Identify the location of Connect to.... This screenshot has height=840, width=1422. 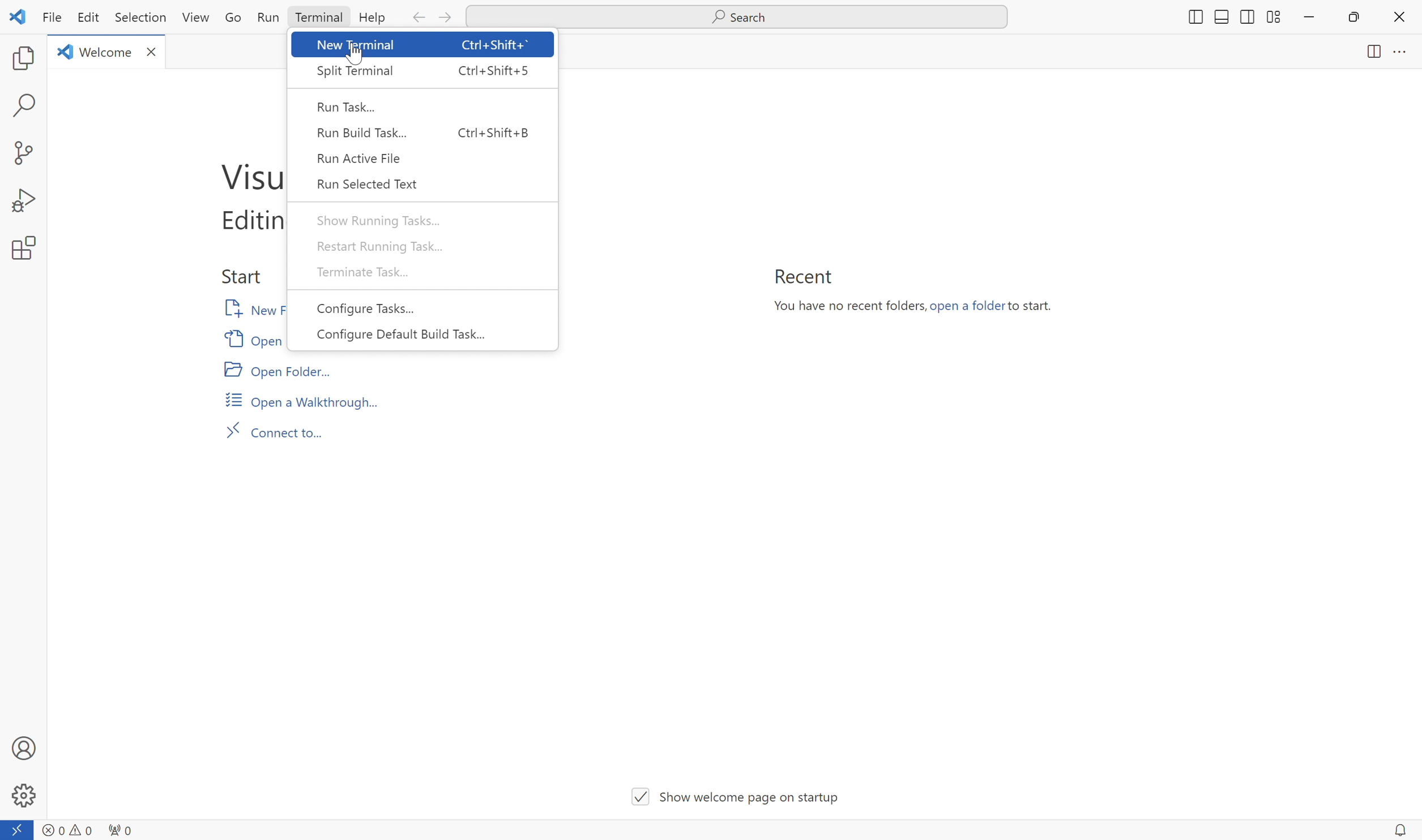
(276, 429).